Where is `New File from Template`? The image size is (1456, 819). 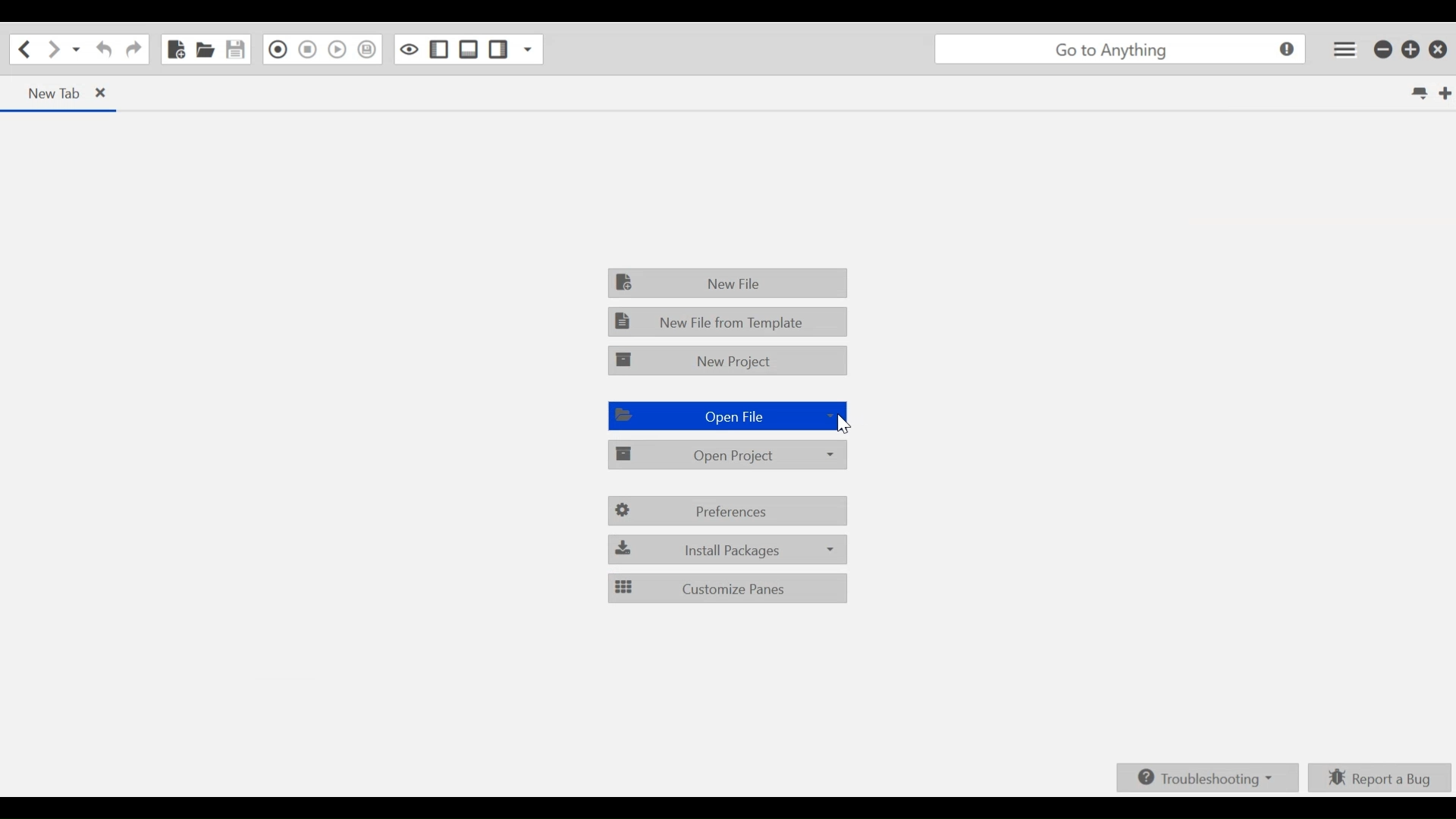
New File from Template is located at coordinates (726, 322).